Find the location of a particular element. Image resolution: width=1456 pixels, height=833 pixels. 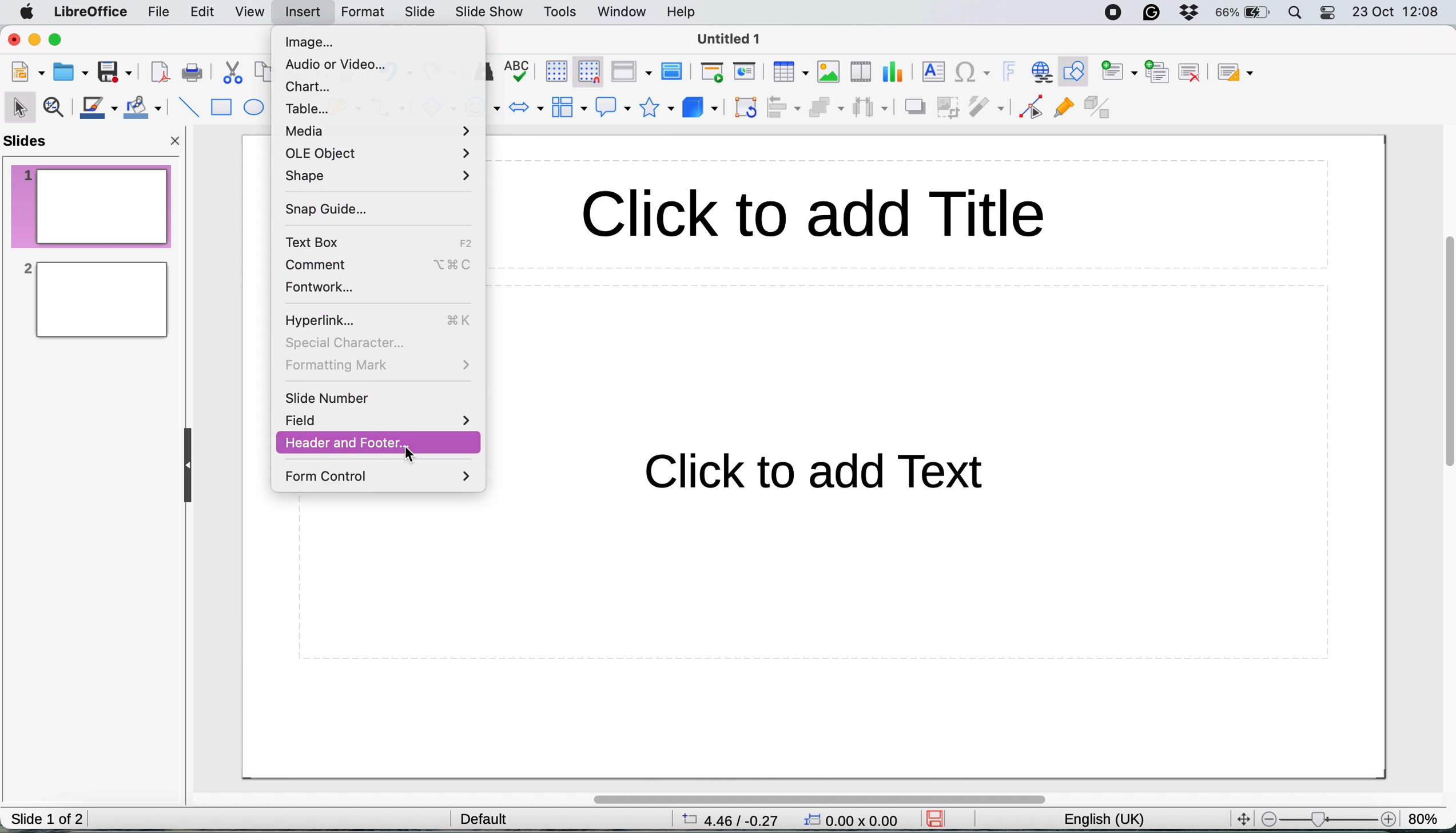

minimise is located at coordinates (36, 41).